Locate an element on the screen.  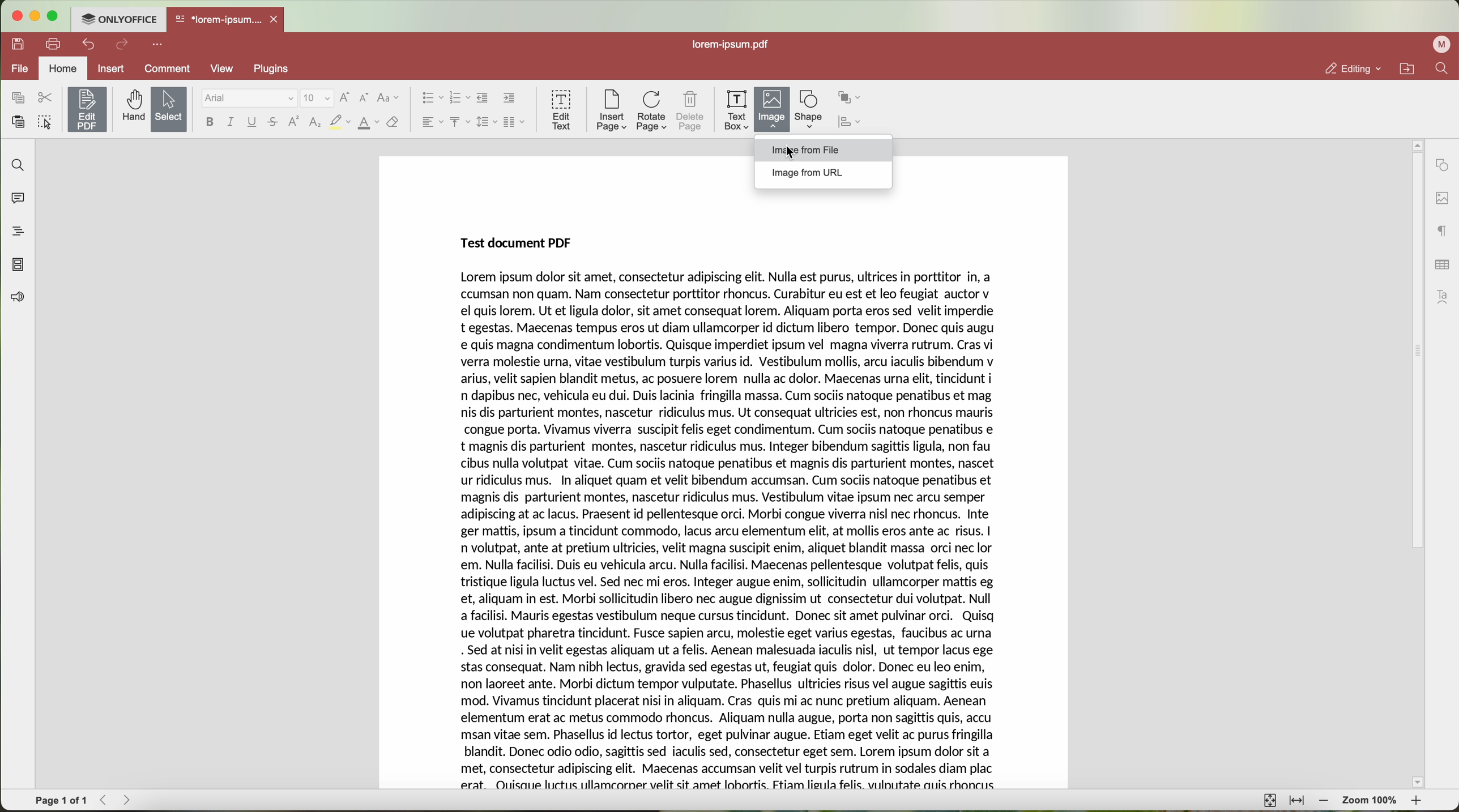
hand is located at coordinates (132, 106).